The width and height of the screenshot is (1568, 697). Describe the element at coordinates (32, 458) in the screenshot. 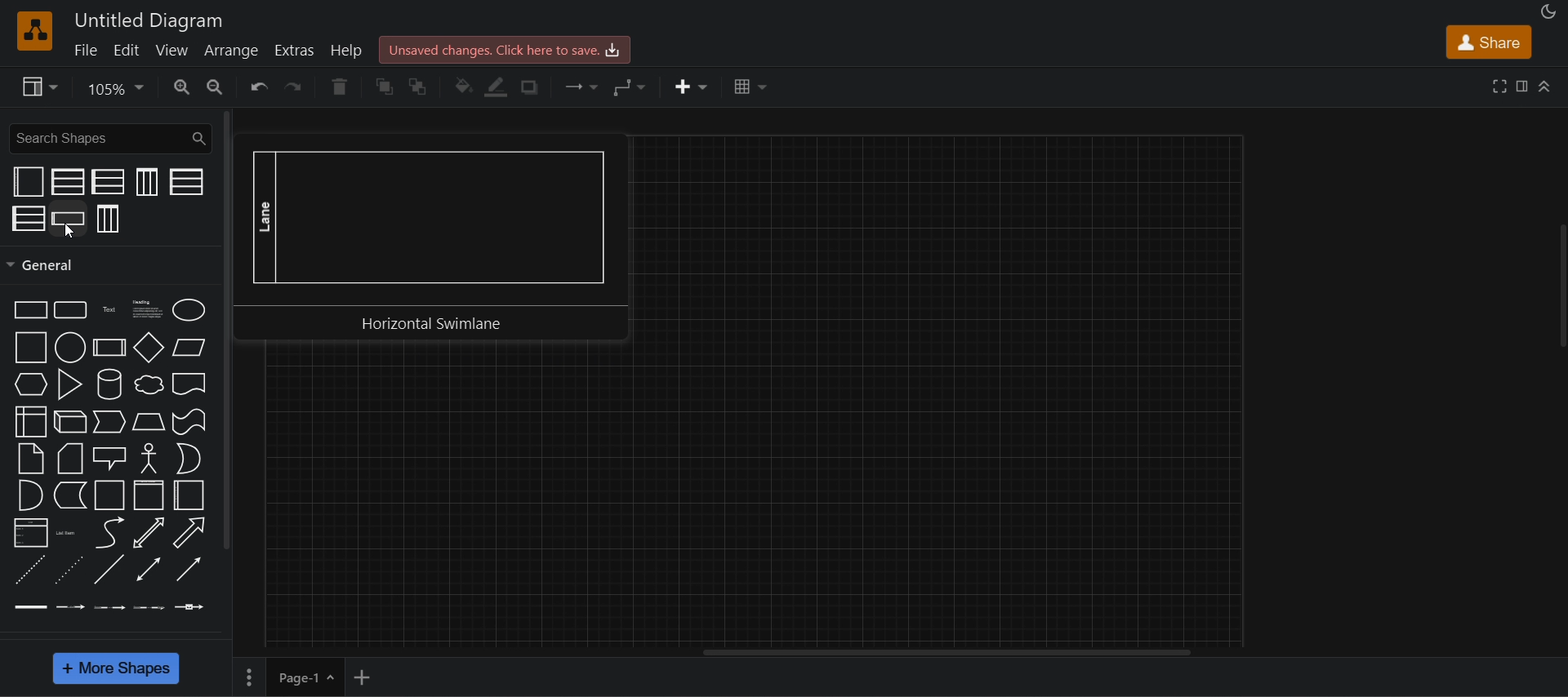

I see `note` at that location.